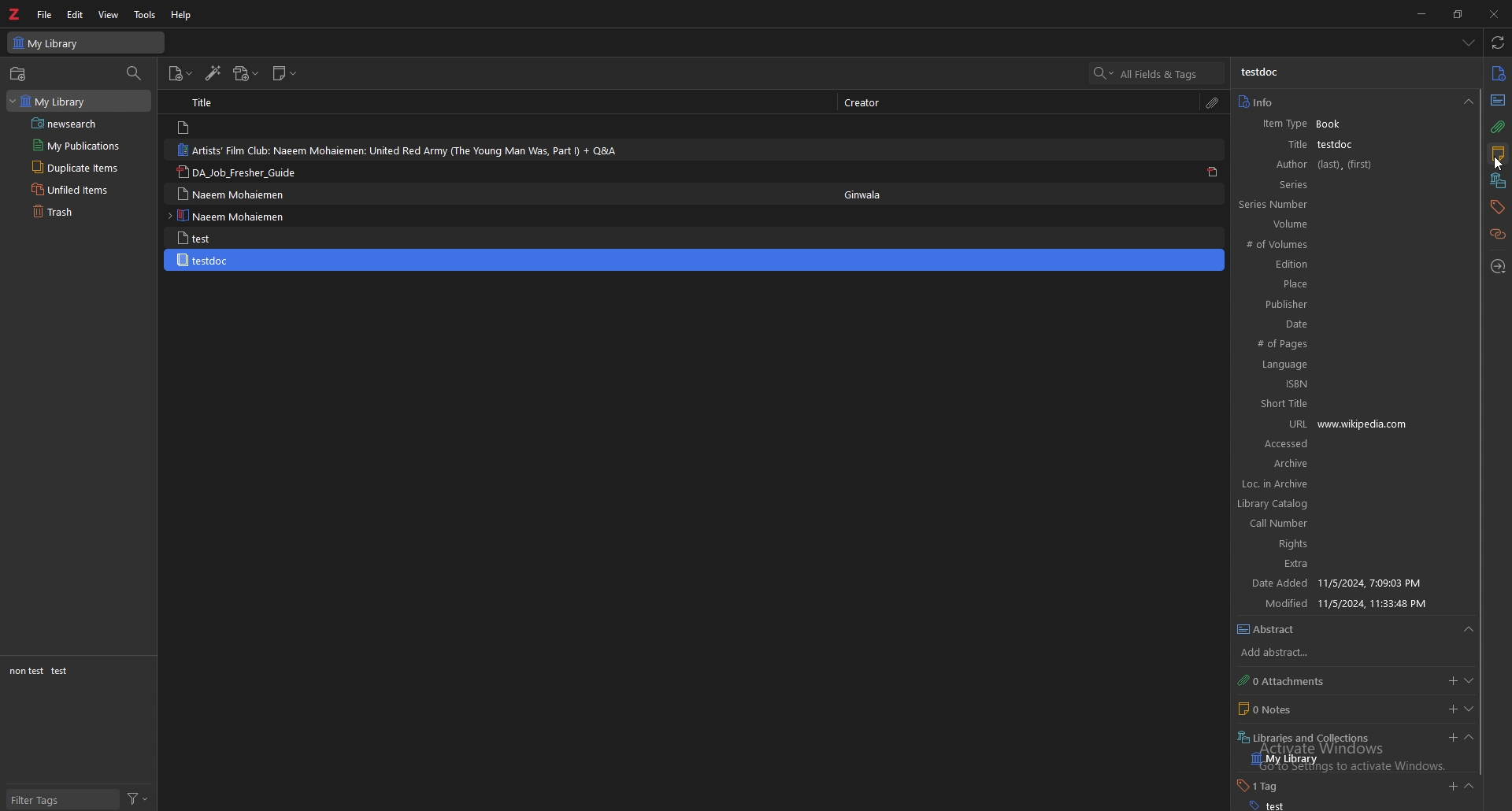 The width and height of the screenshot is (1512, 811). I want to click on new item, so click(180, 74).